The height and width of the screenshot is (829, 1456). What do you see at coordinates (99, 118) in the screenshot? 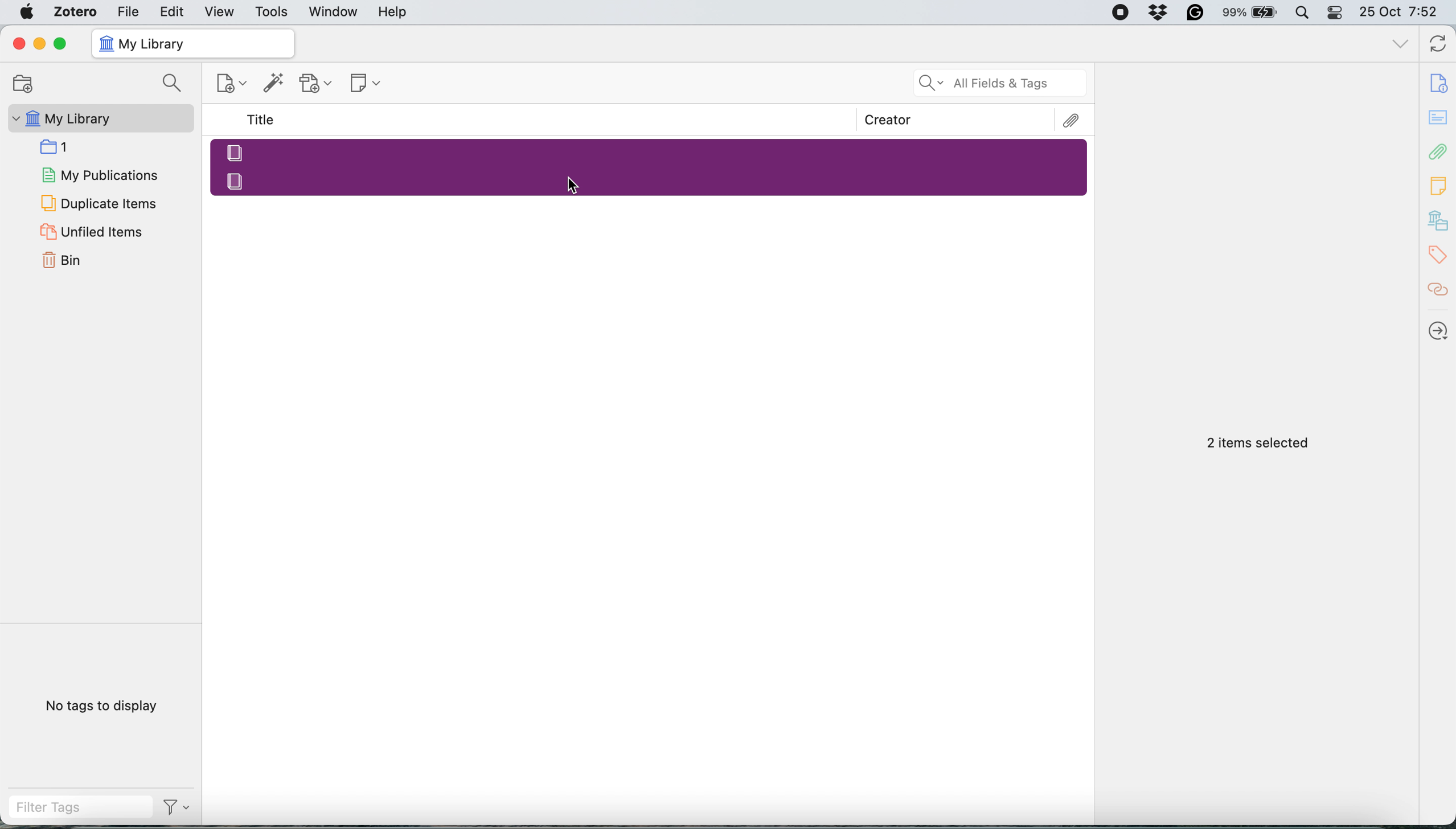
I see `My Library` at bounding box center [99, 118].